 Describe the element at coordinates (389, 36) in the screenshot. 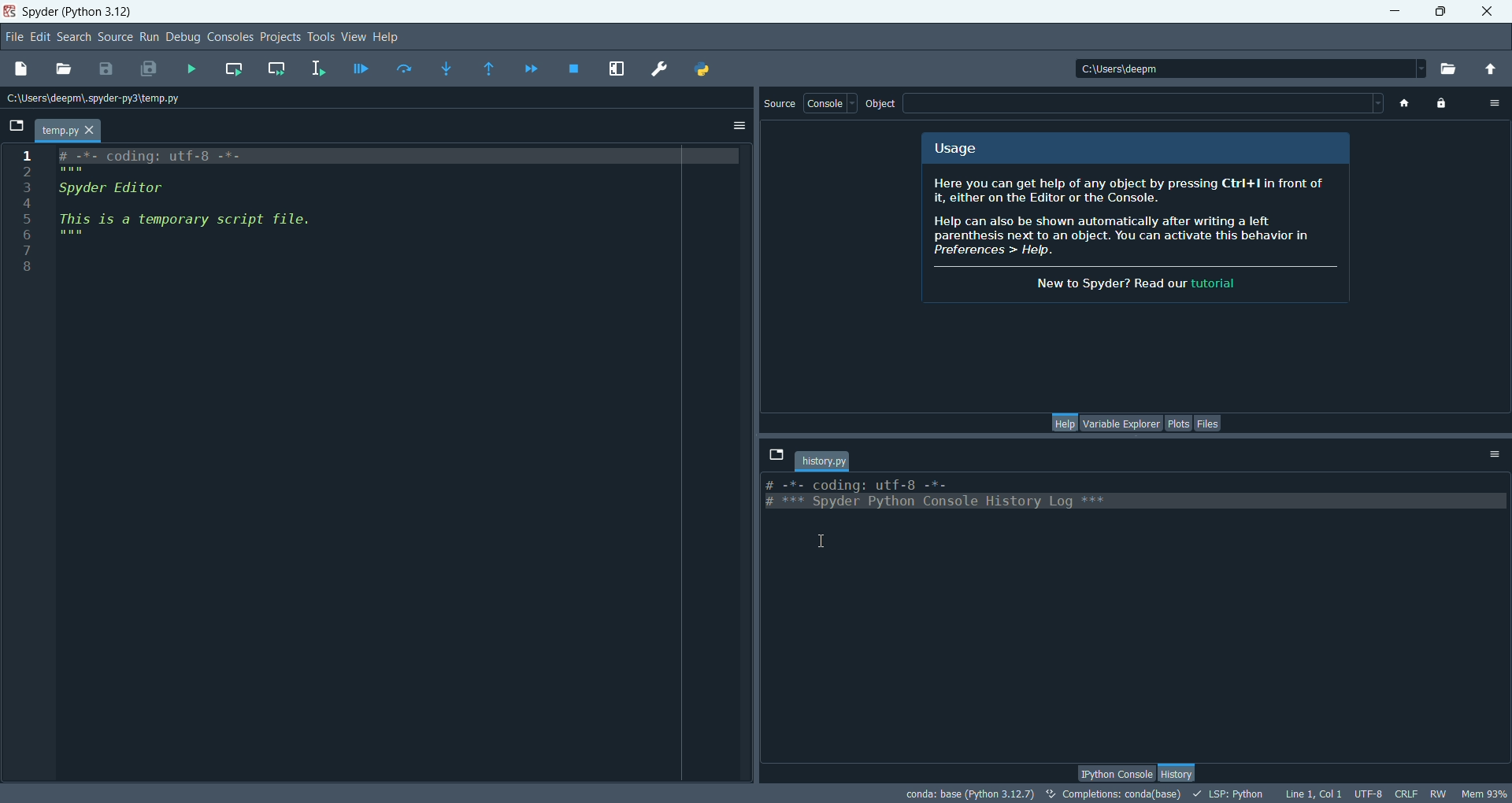

I see `help` at that location.